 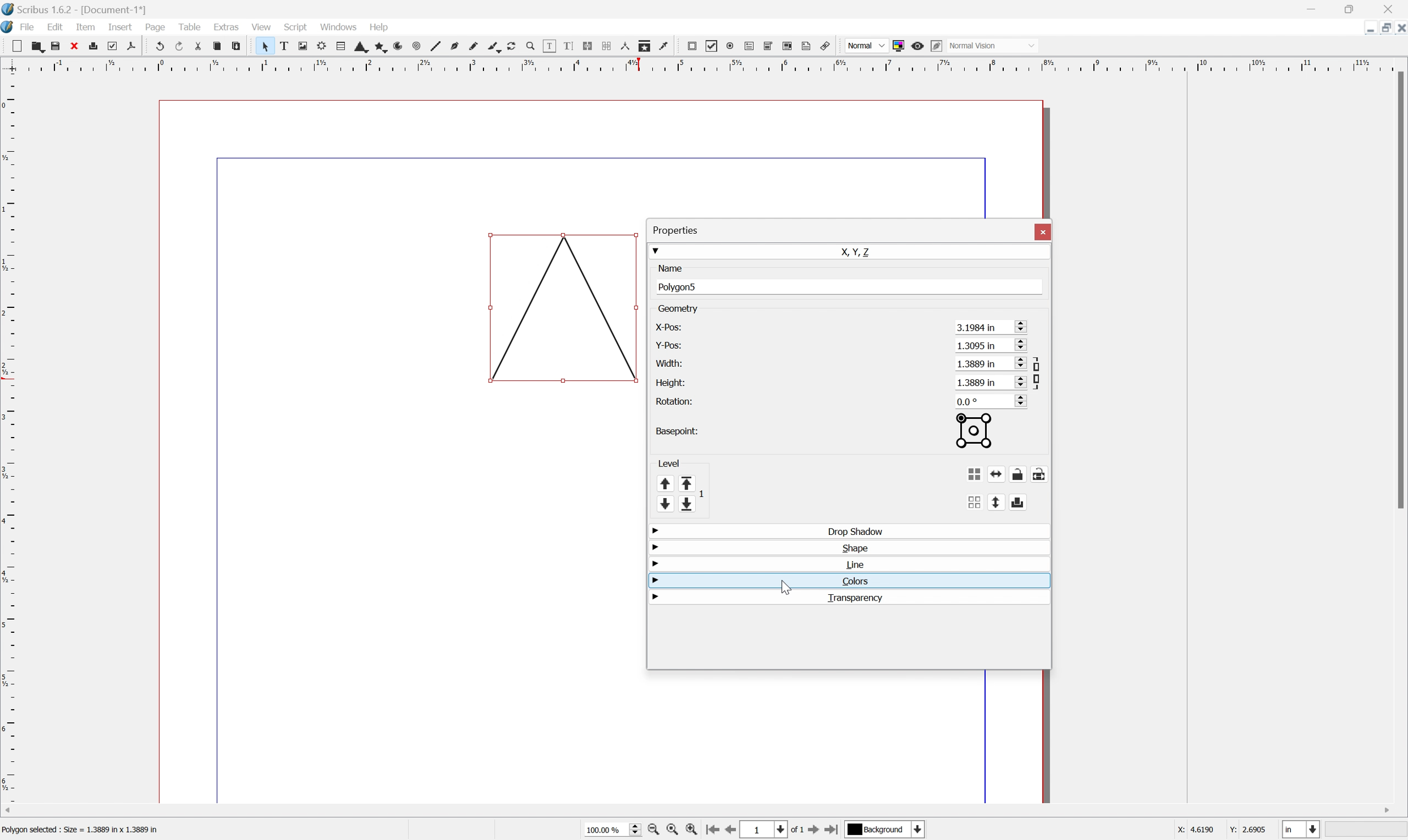 What do you see at coordinates (977, 382) in the screenshot?
I see `1.3889 in` at bounding box center [977, 382].